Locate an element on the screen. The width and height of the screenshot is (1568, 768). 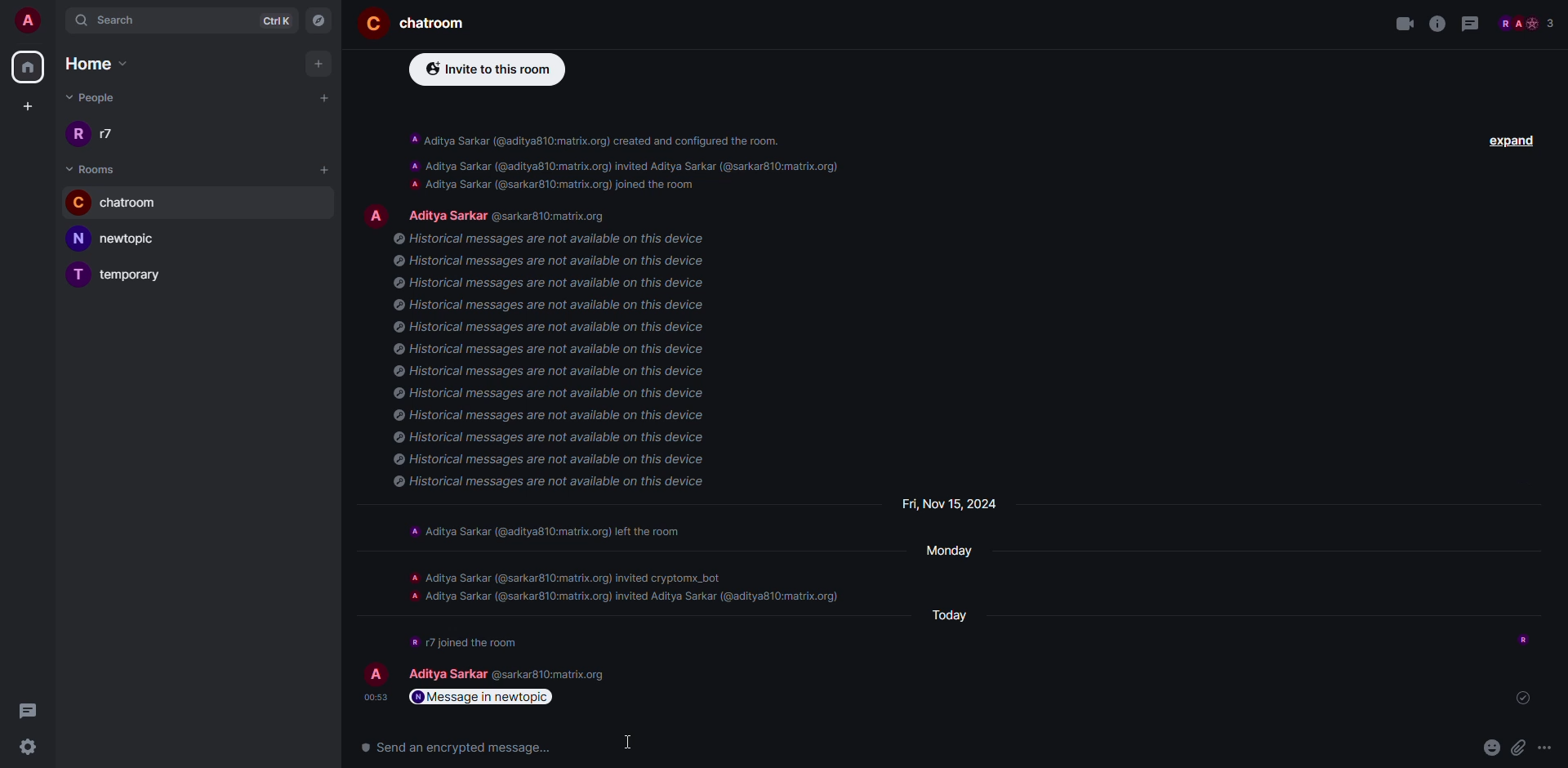
people is located at coordinates (100, 100).